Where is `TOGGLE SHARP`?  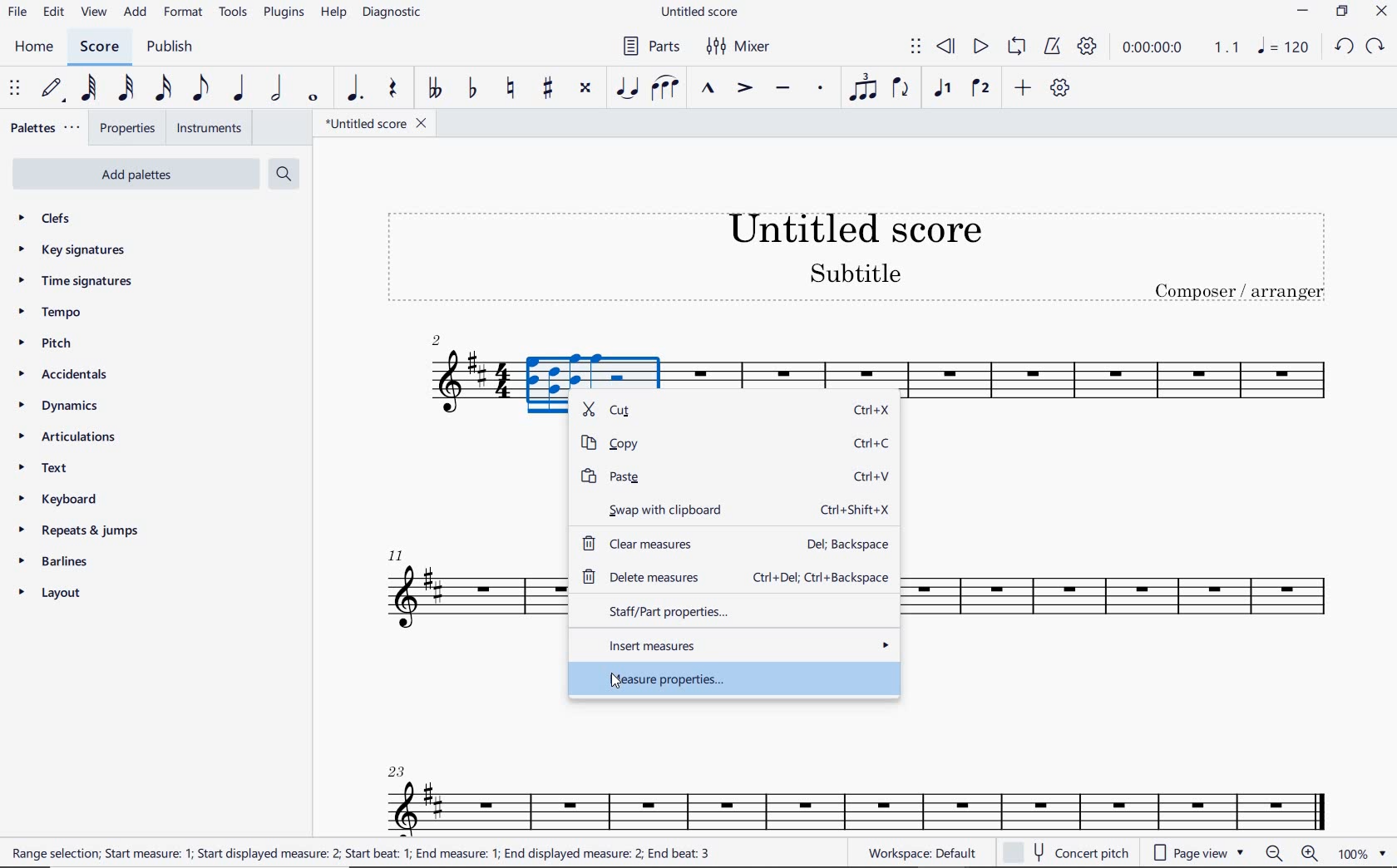
TOGGLE SHARP is located at coordinates (549, 88).